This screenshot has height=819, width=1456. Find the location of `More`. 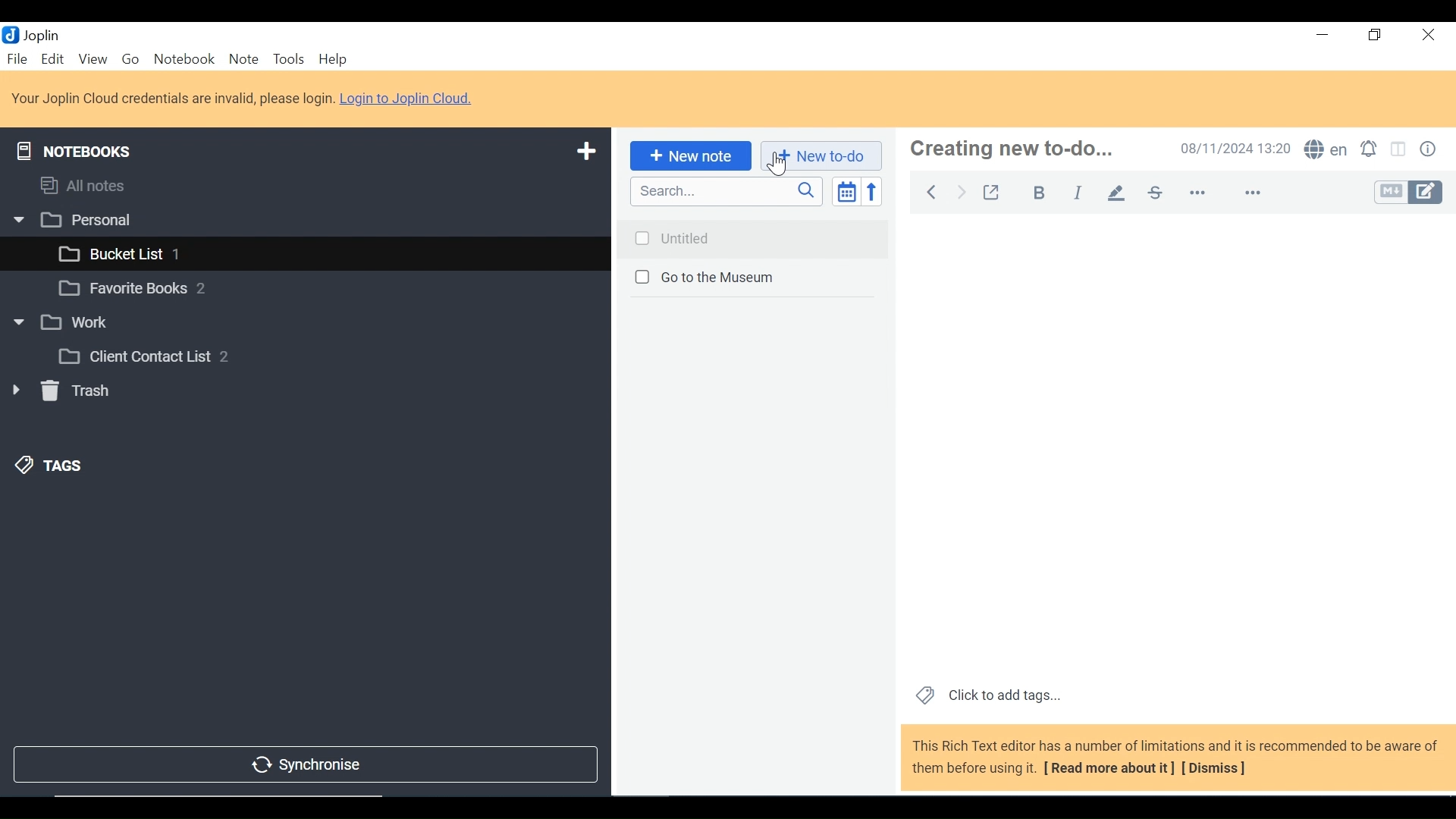

More is located at coordinates (1223, 193).